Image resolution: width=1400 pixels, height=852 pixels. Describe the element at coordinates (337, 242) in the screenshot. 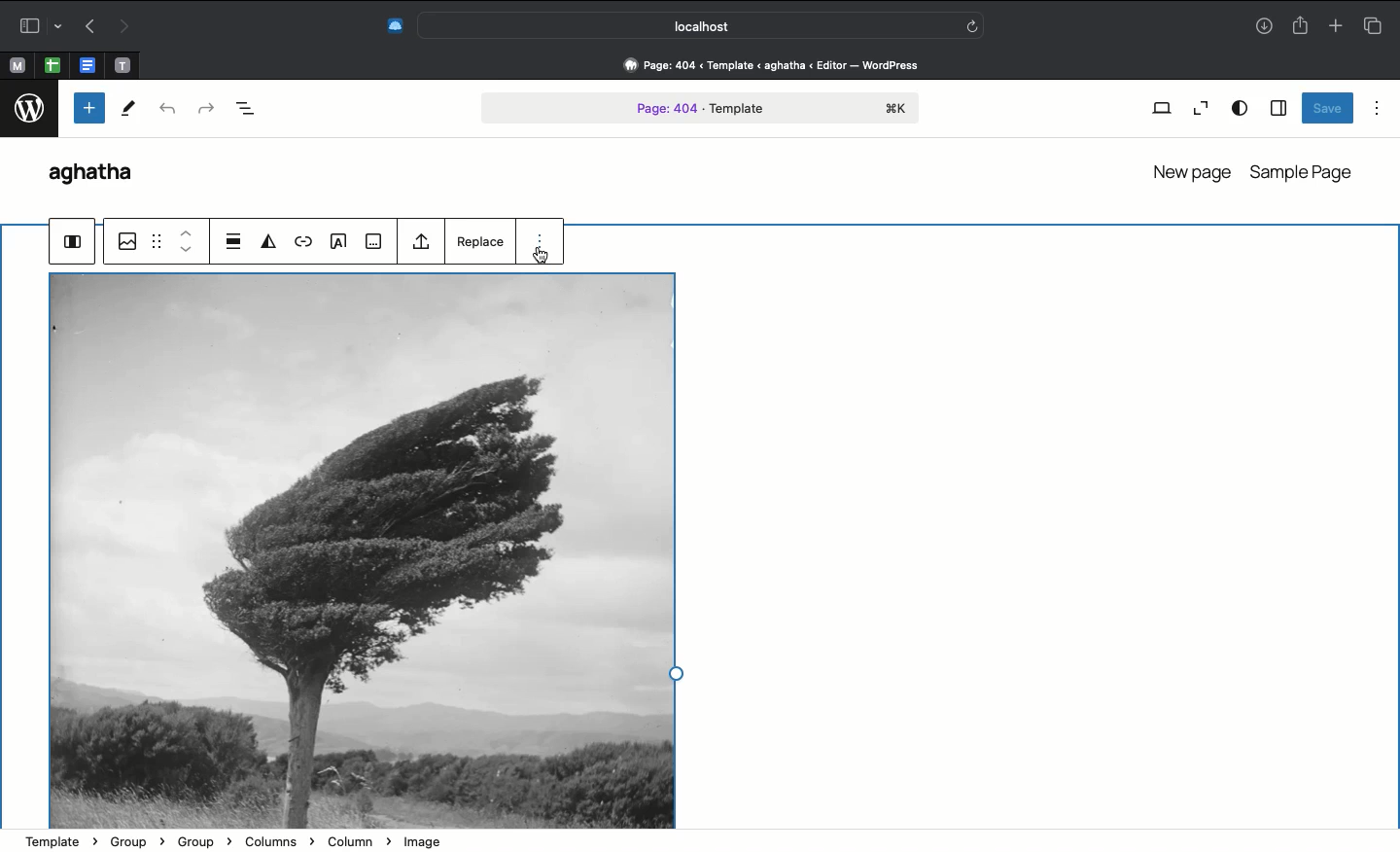

I see `Text on image` at that location.